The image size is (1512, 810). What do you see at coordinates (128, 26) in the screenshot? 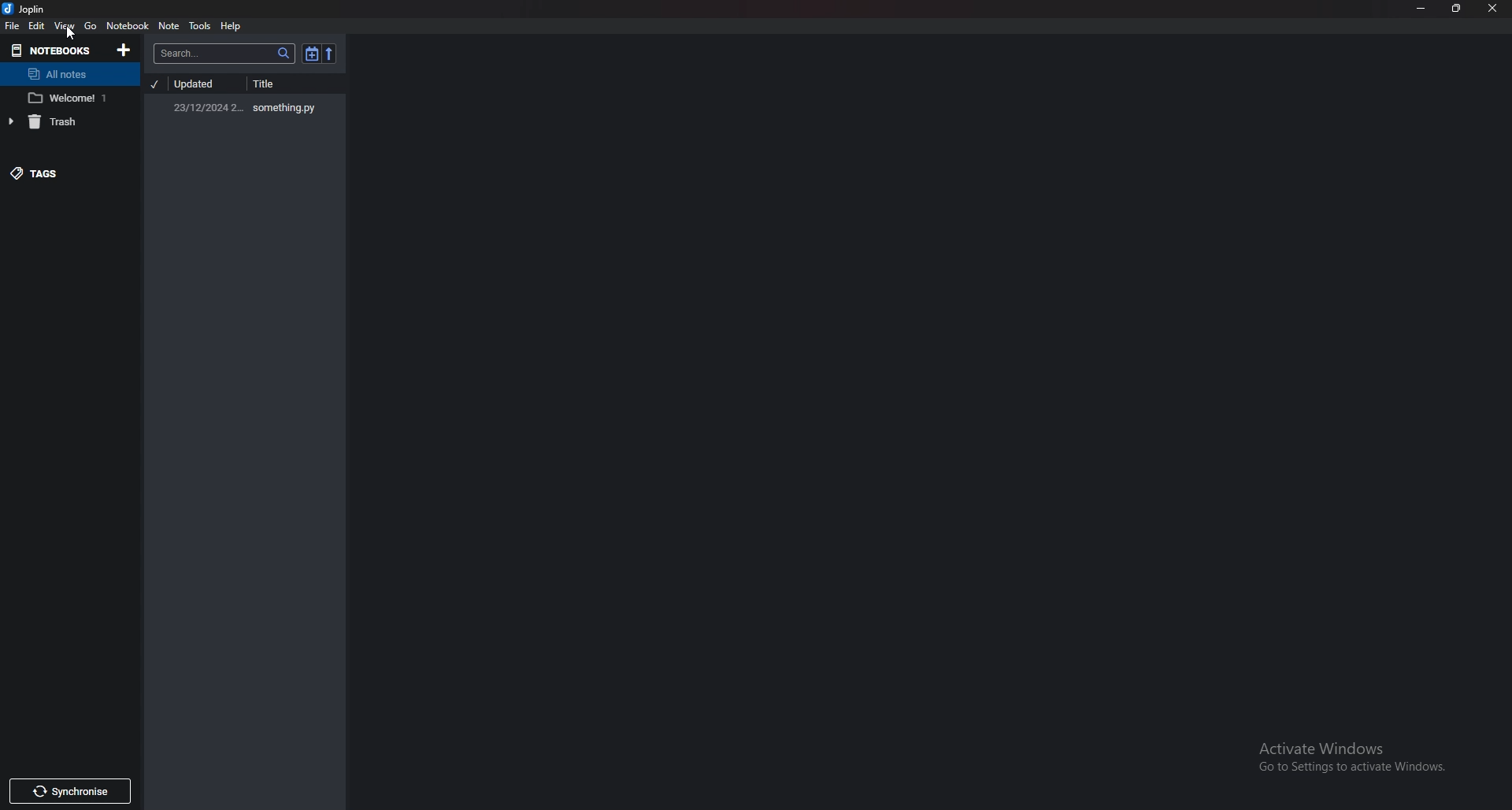
I see `Notebook` at bounding box center [128, 26].